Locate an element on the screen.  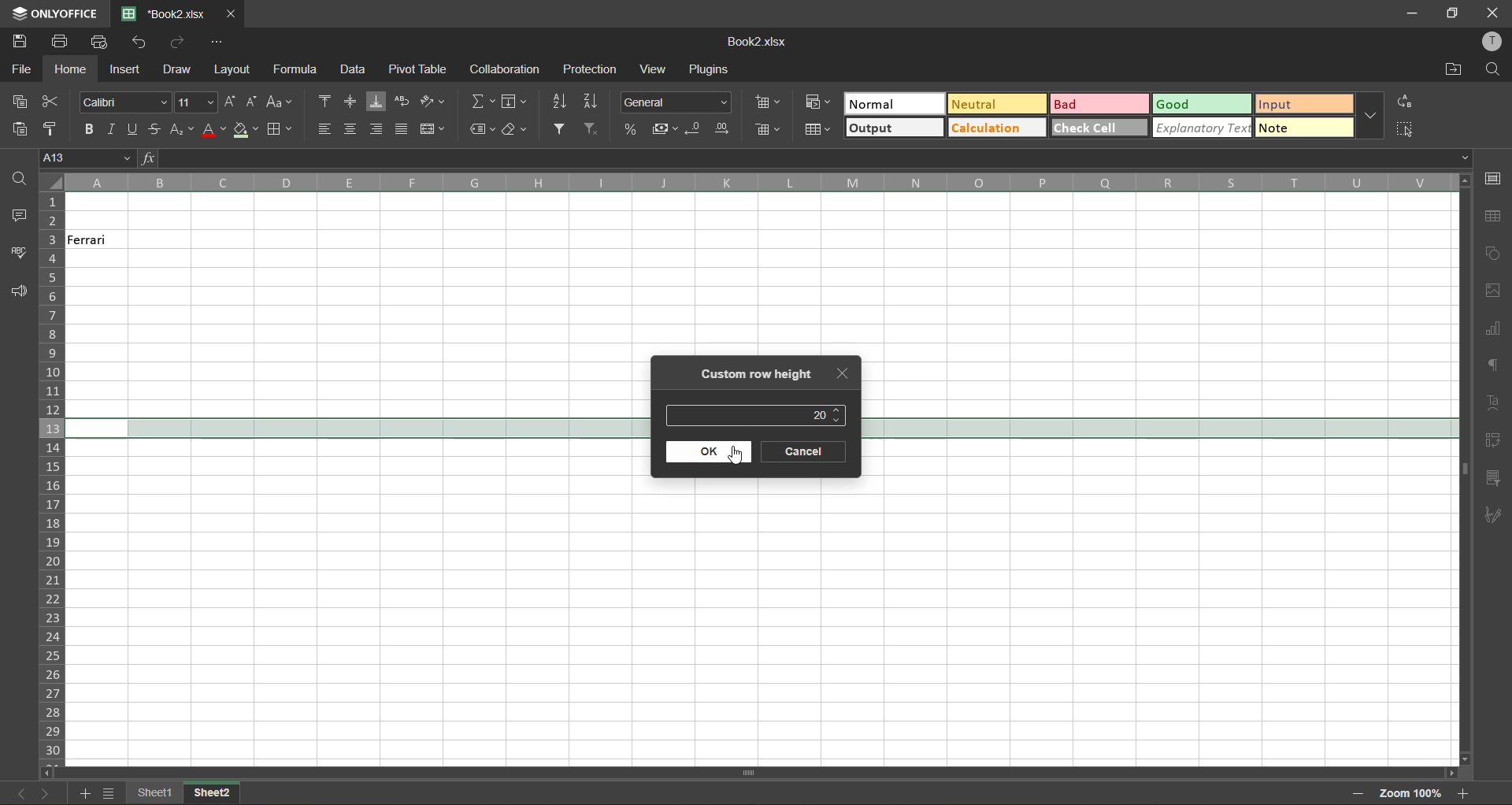
replace is located at coordinates (1403, 100).